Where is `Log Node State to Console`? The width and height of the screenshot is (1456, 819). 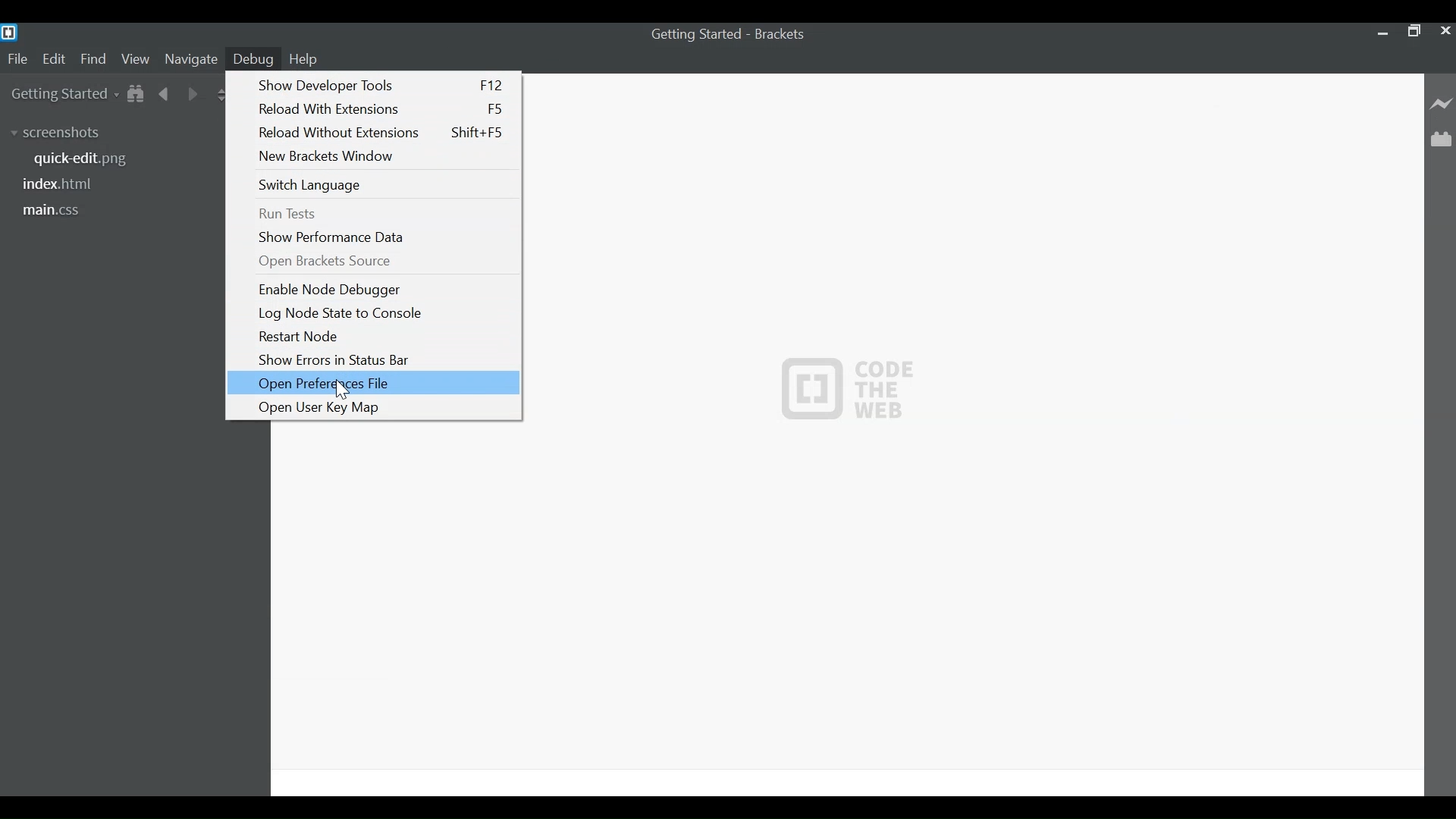 Log Node State to Console is located at coordinates (377, 315).